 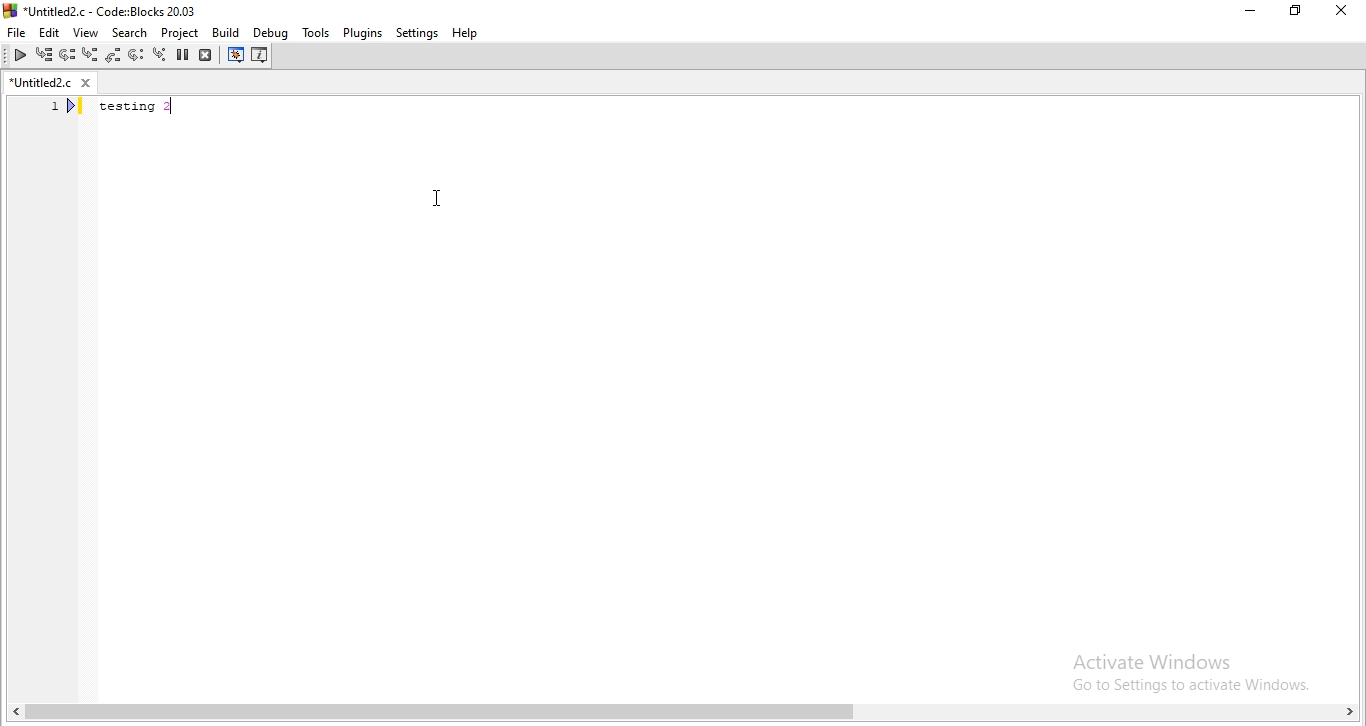 I want to click on file, so click(x=16, y=34).